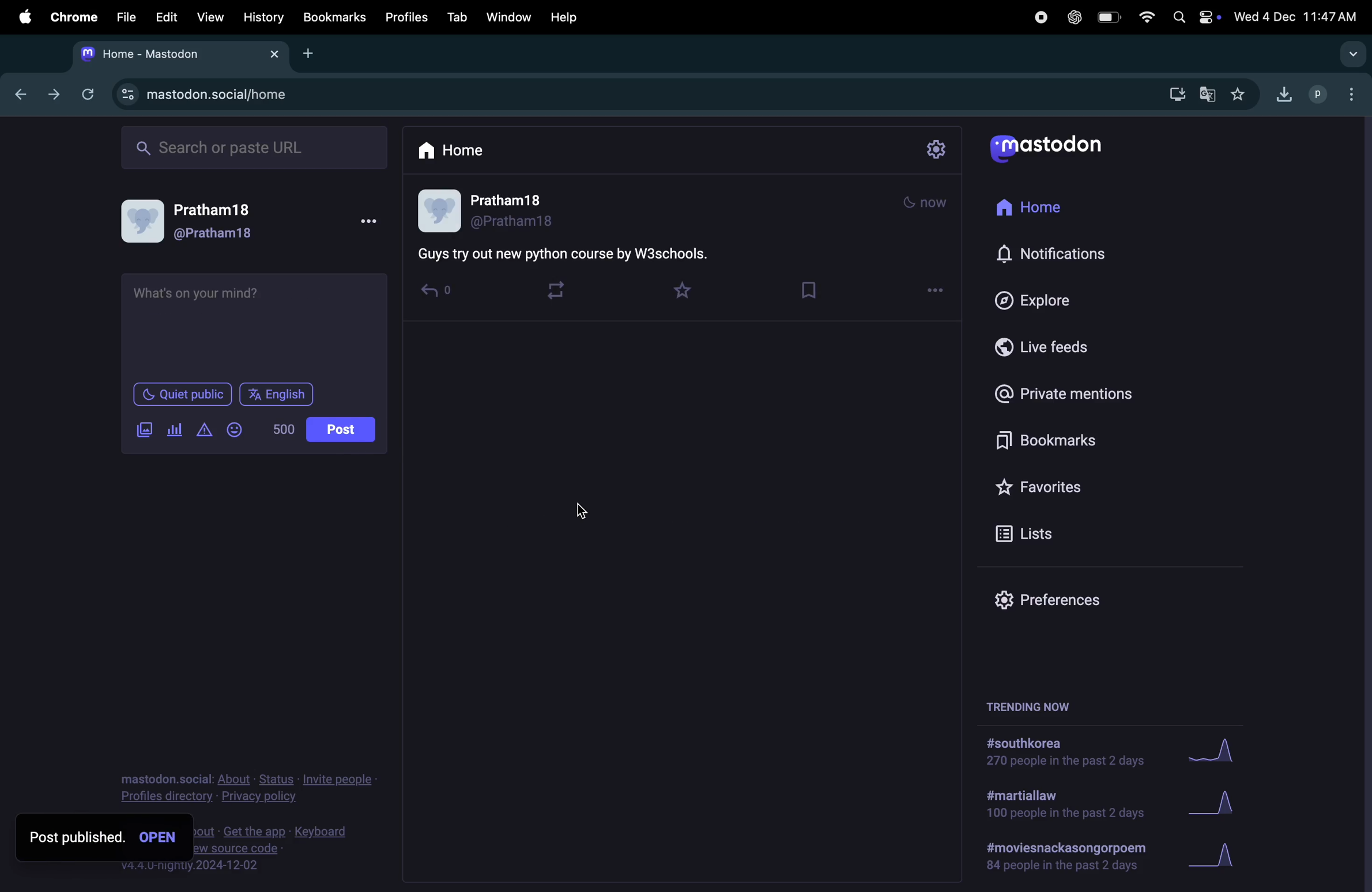  I want to click on backward, so click(24, 92).